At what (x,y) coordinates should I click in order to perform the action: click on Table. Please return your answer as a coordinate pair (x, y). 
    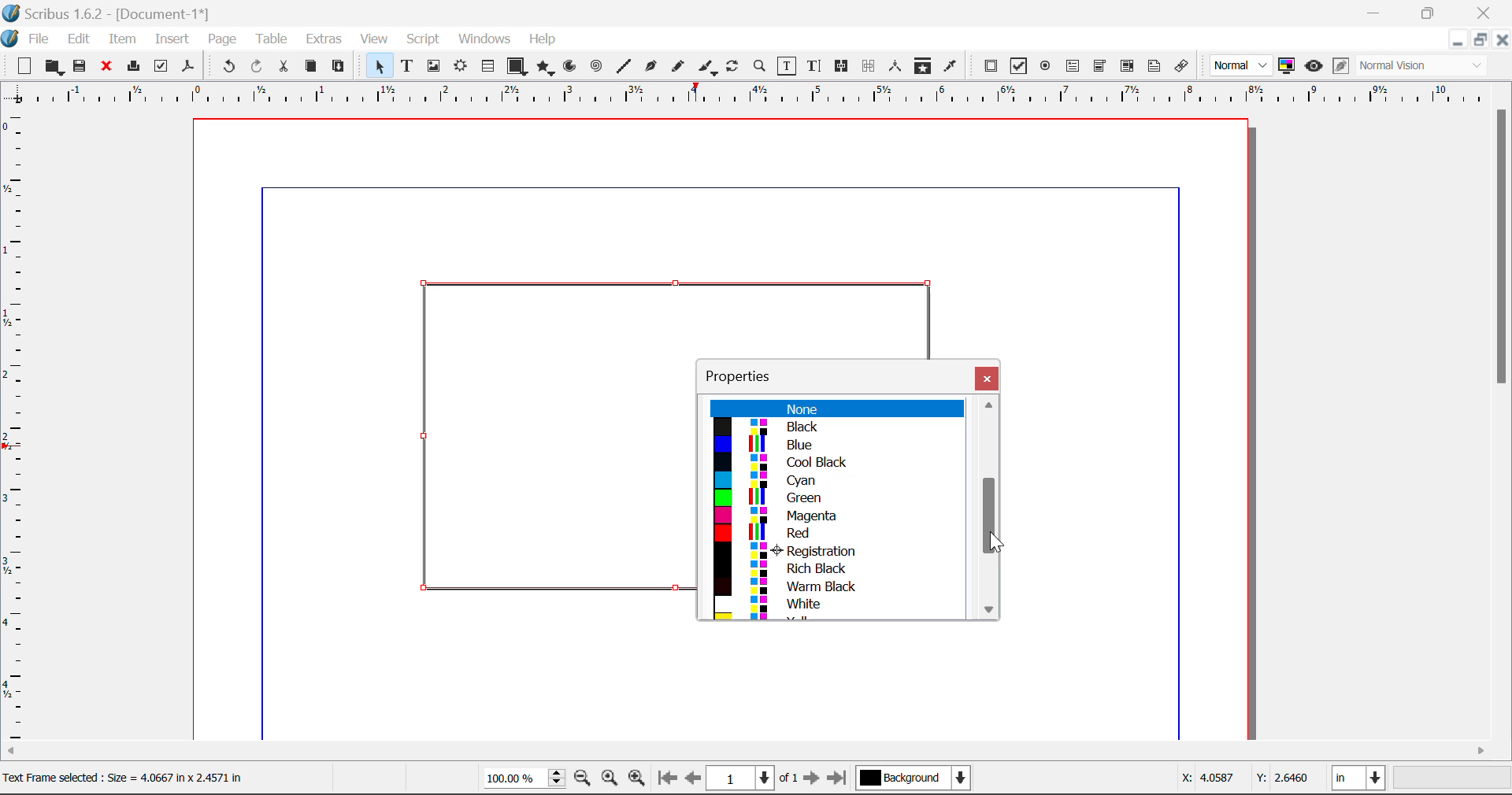
    Looking at the image, I should click on (271, 38).